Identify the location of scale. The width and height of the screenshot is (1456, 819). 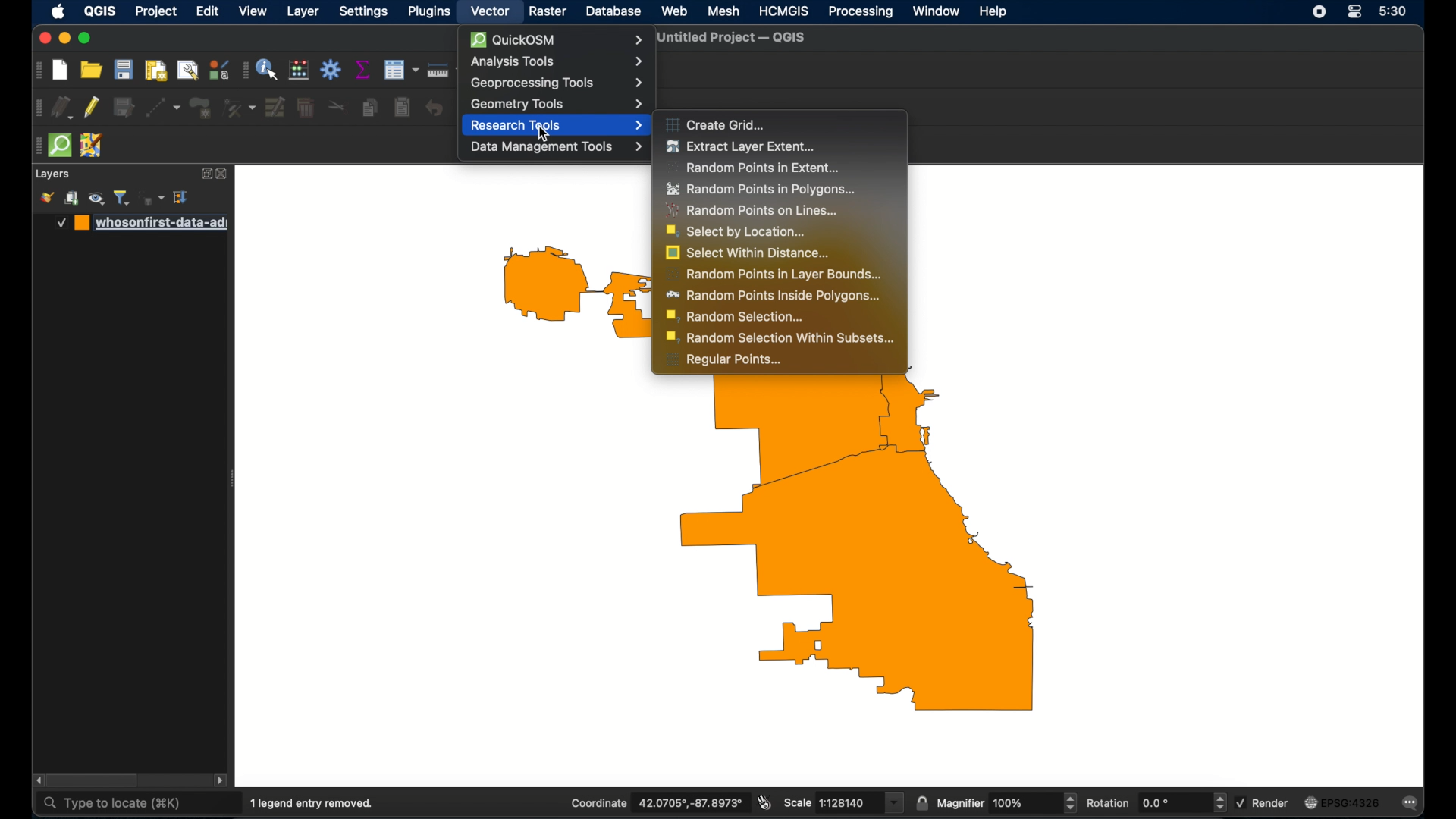
(843, 802).